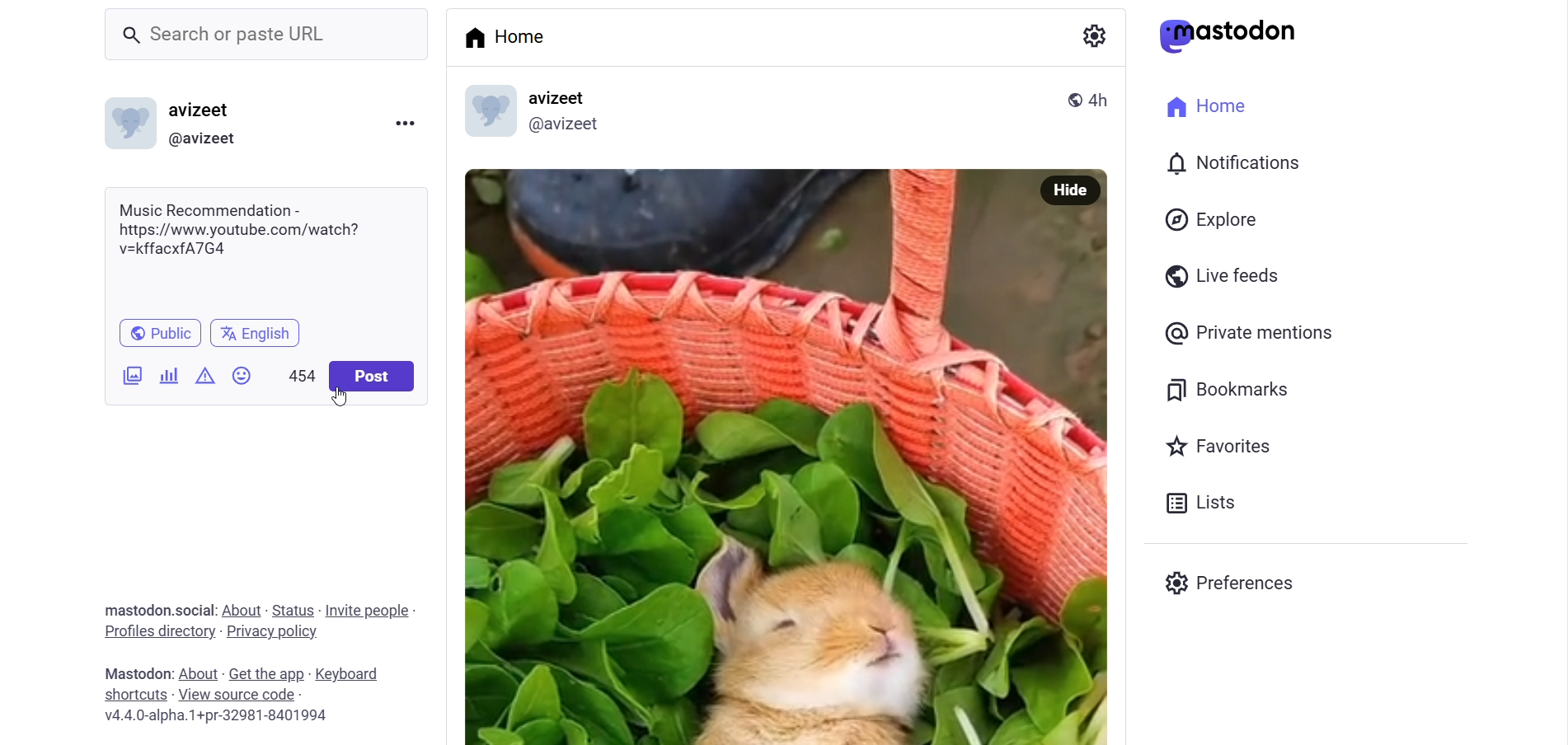 Image resolution: width=1568 pixels, height=745 pixels. Describe the element at coordinates (269, 240) in the screenshot. I see `https://www.youtube.com/watch?
v=kffacxfA7G4` at that location.